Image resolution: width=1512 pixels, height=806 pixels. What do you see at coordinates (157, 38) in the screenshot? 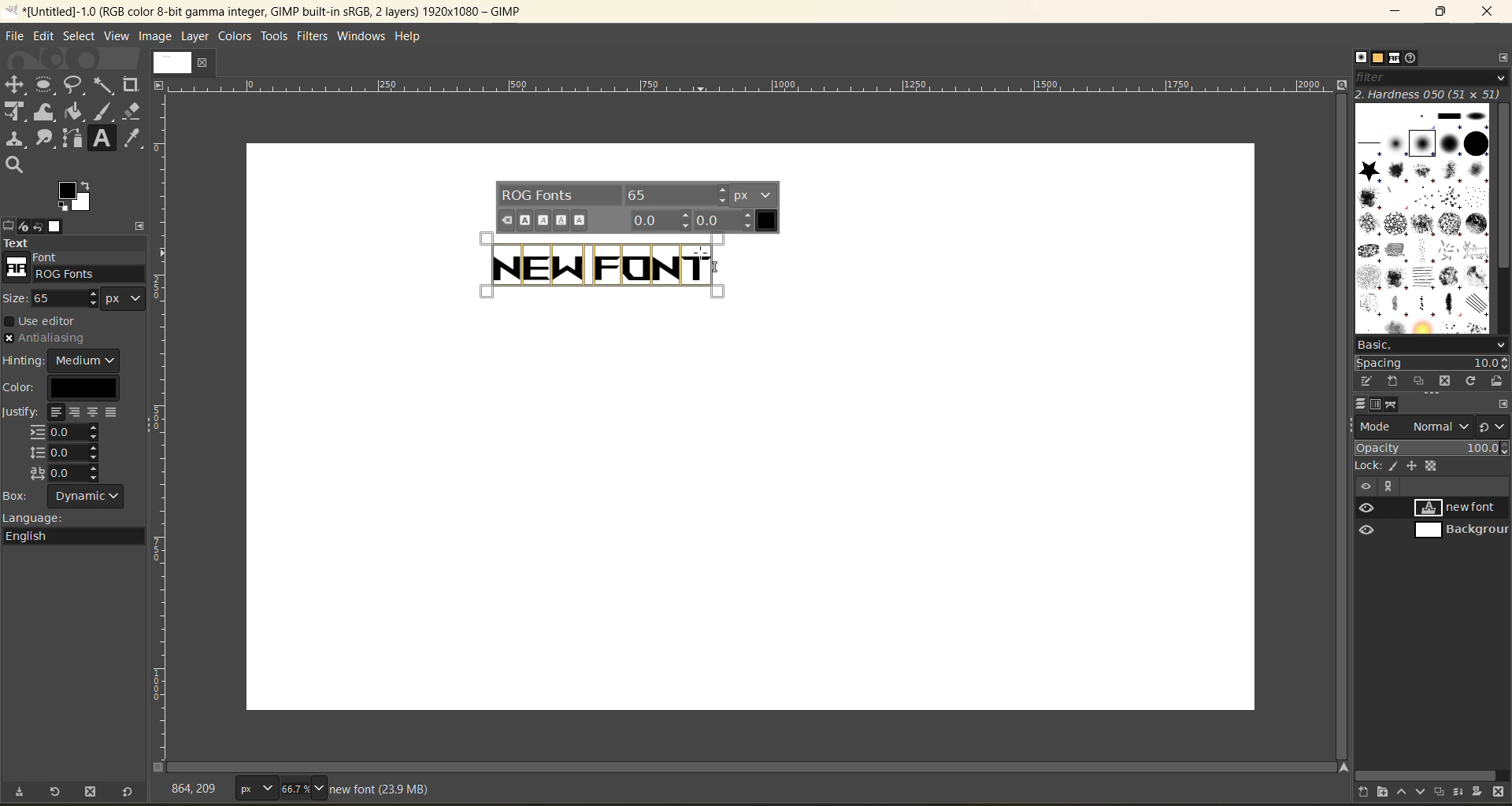
I see `image` at bounding box center [157, 38].